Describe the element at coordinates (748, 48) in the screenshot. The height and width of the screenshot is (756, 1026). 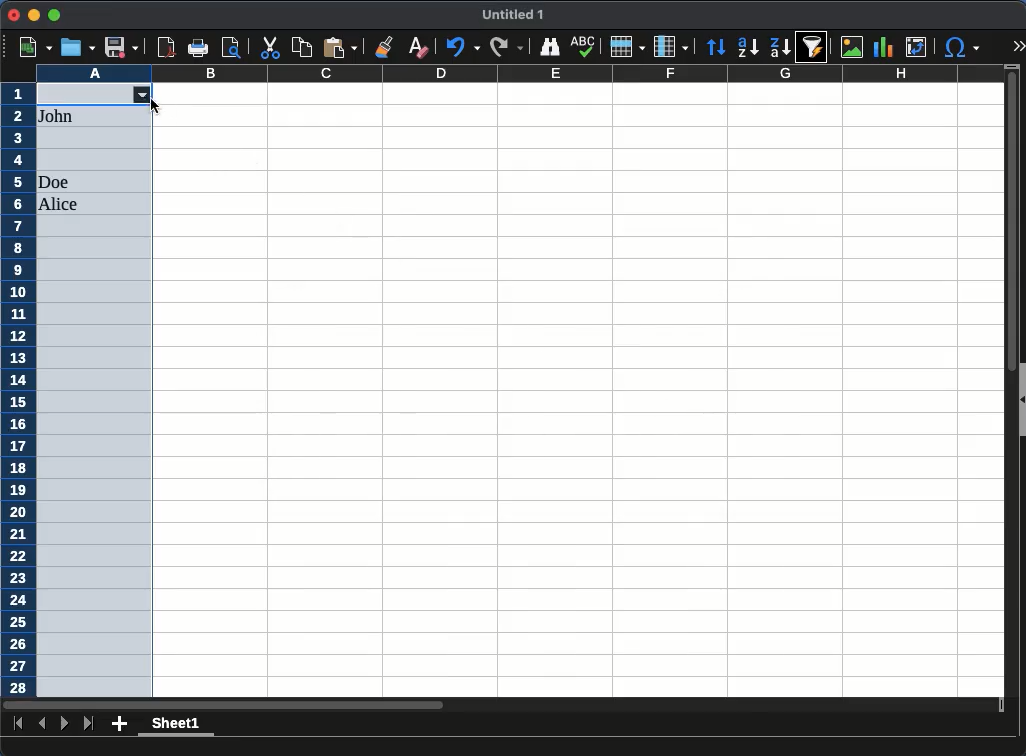
I see `ascending` at that location.